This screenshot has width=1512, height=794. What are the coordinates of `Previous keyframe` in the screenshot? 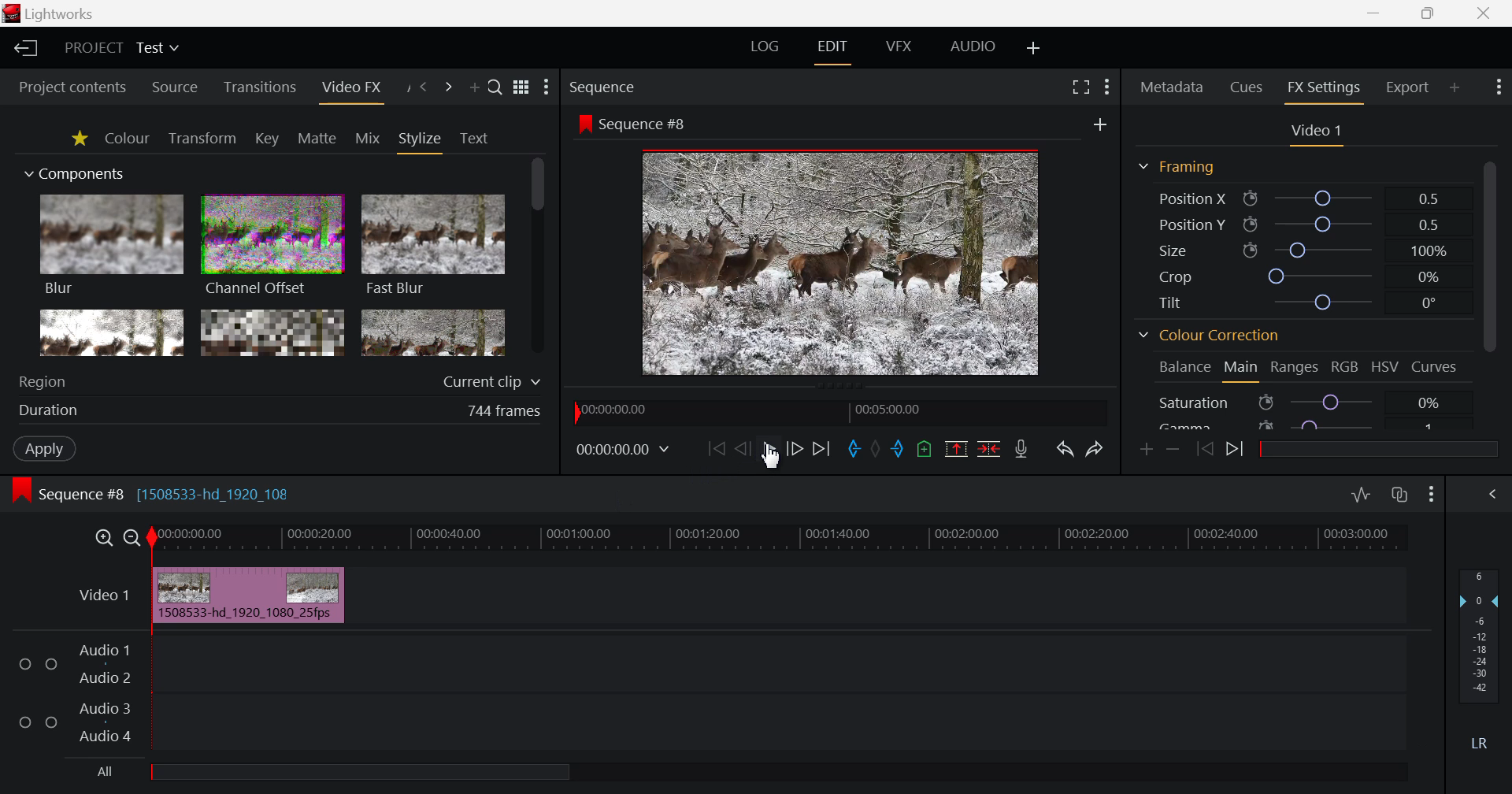 It's located at (1203, 450).